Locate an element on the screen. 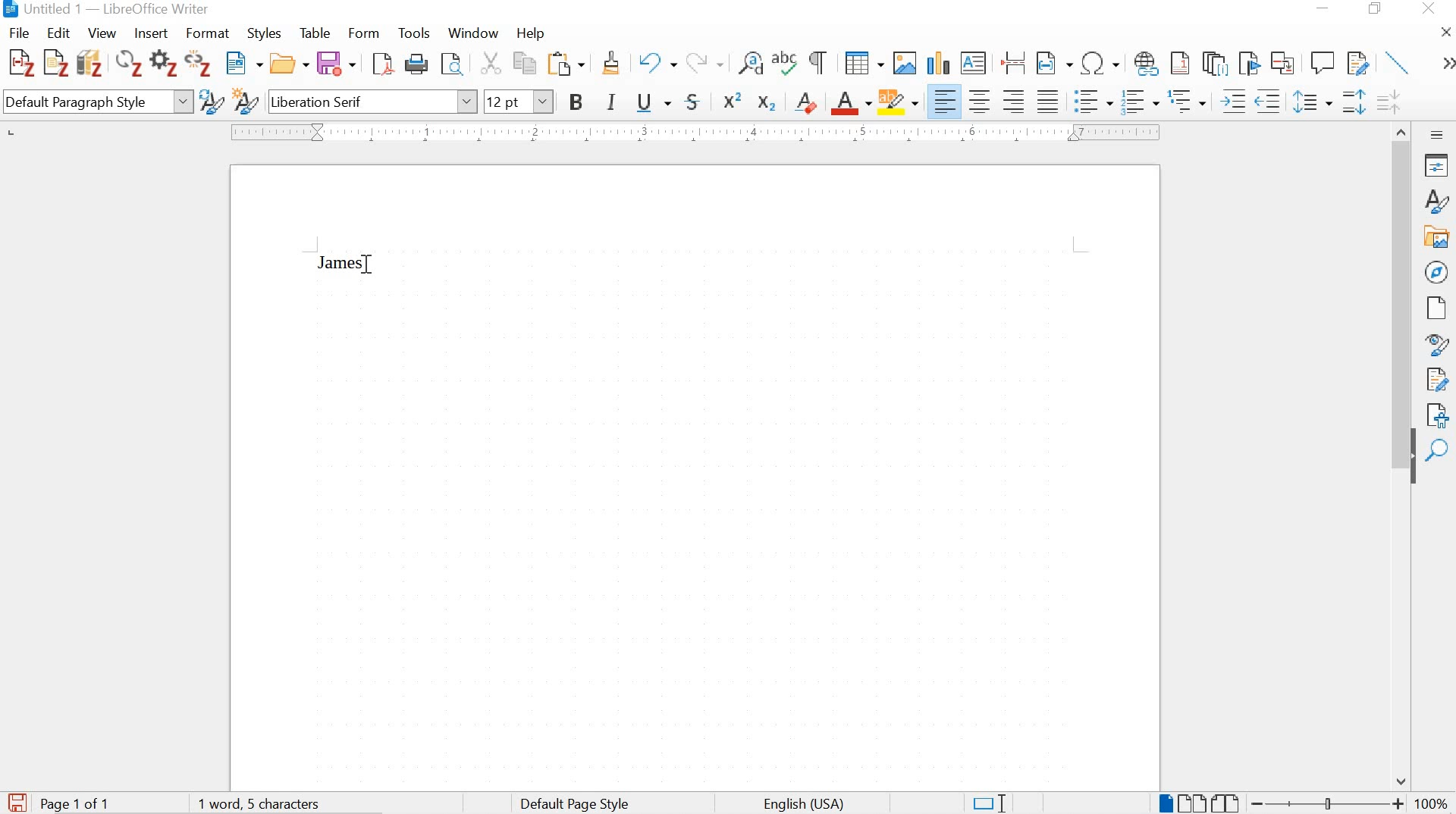 The image size is (1456, 814). insert line is located at coordinates (1398, 62).